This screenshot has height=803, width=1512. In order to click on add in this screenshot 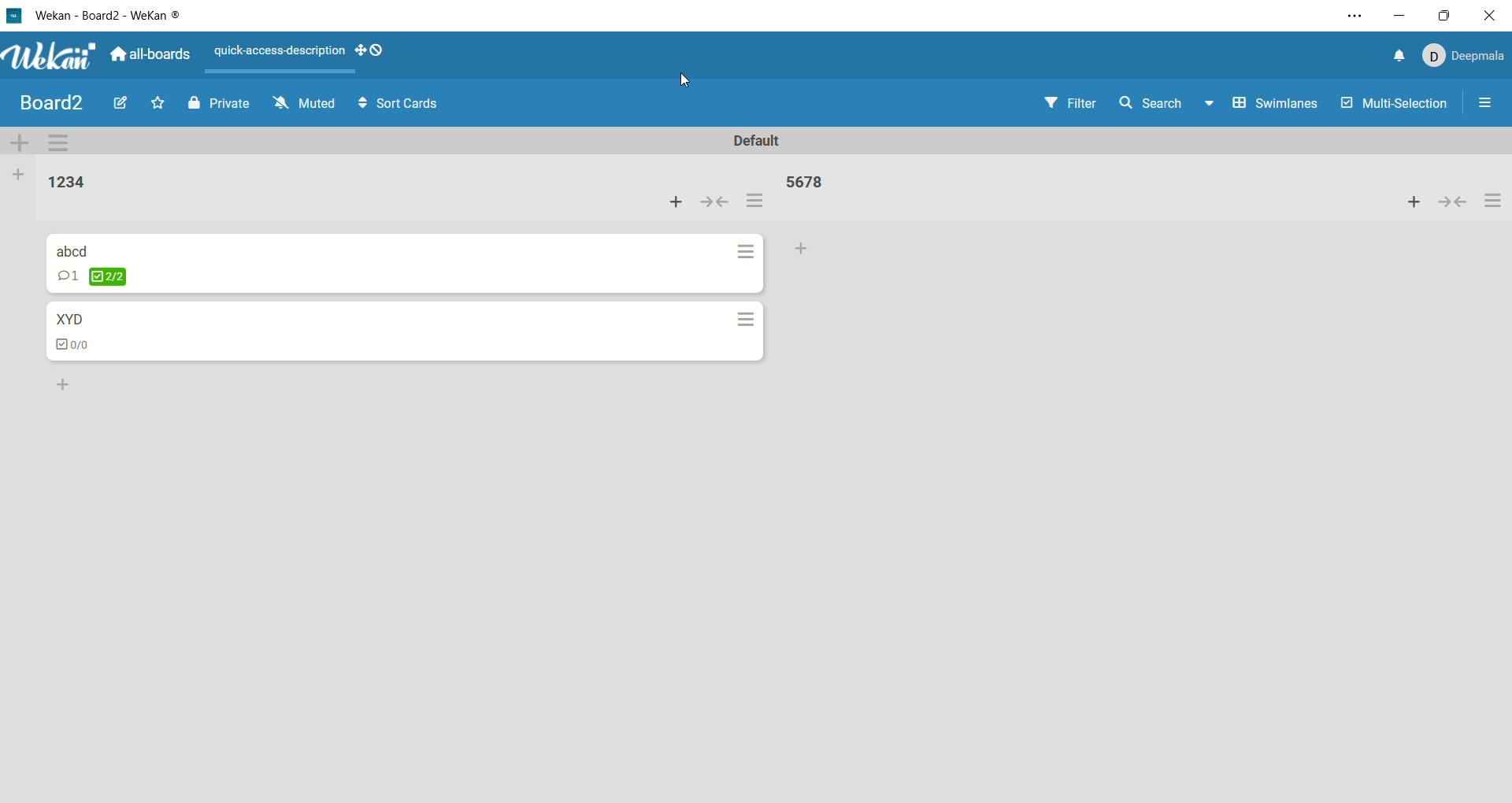, I will do `click(669, 202)`.